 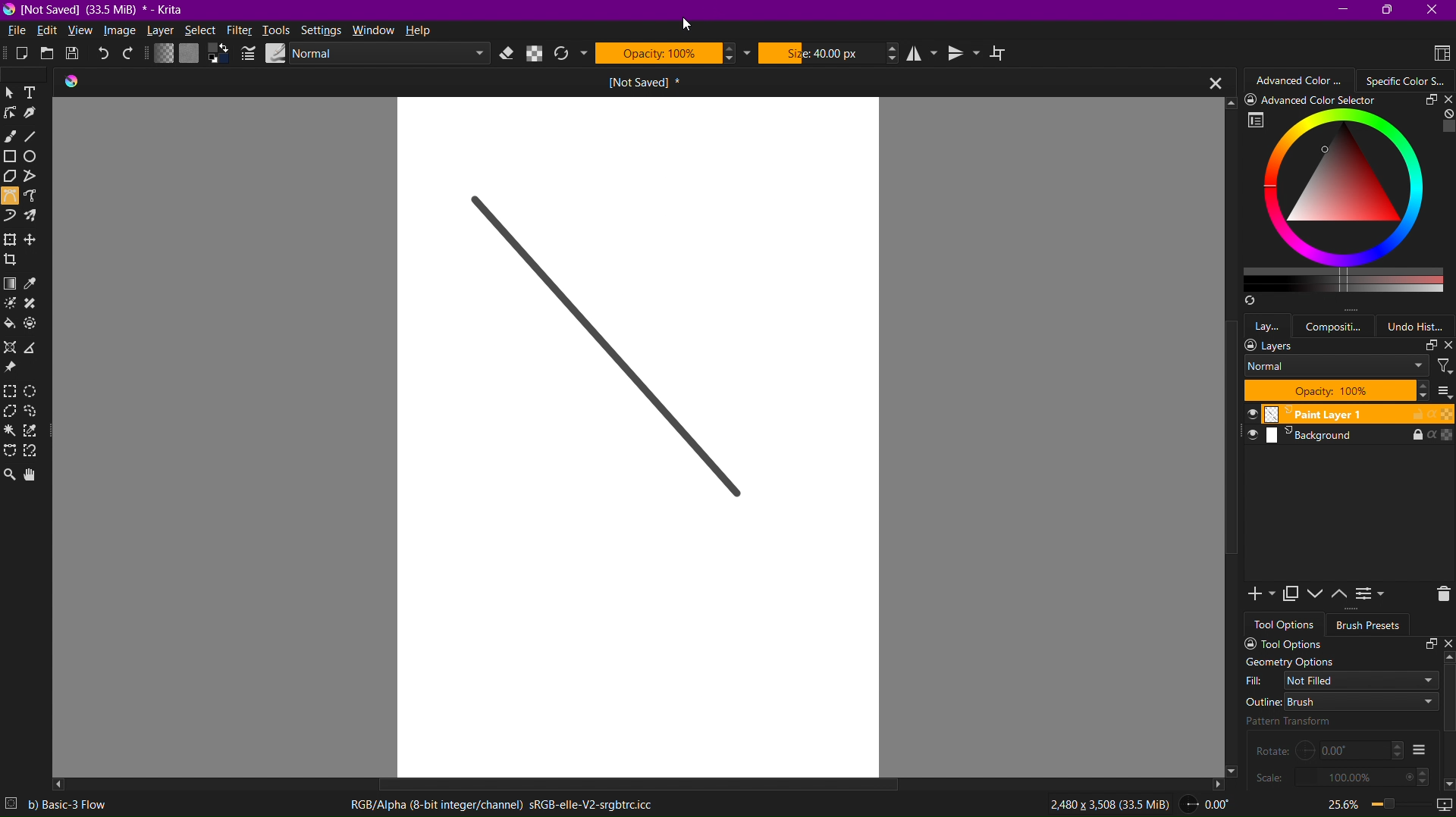 I want to click on Tool Options, so click(x=1286, y=624).